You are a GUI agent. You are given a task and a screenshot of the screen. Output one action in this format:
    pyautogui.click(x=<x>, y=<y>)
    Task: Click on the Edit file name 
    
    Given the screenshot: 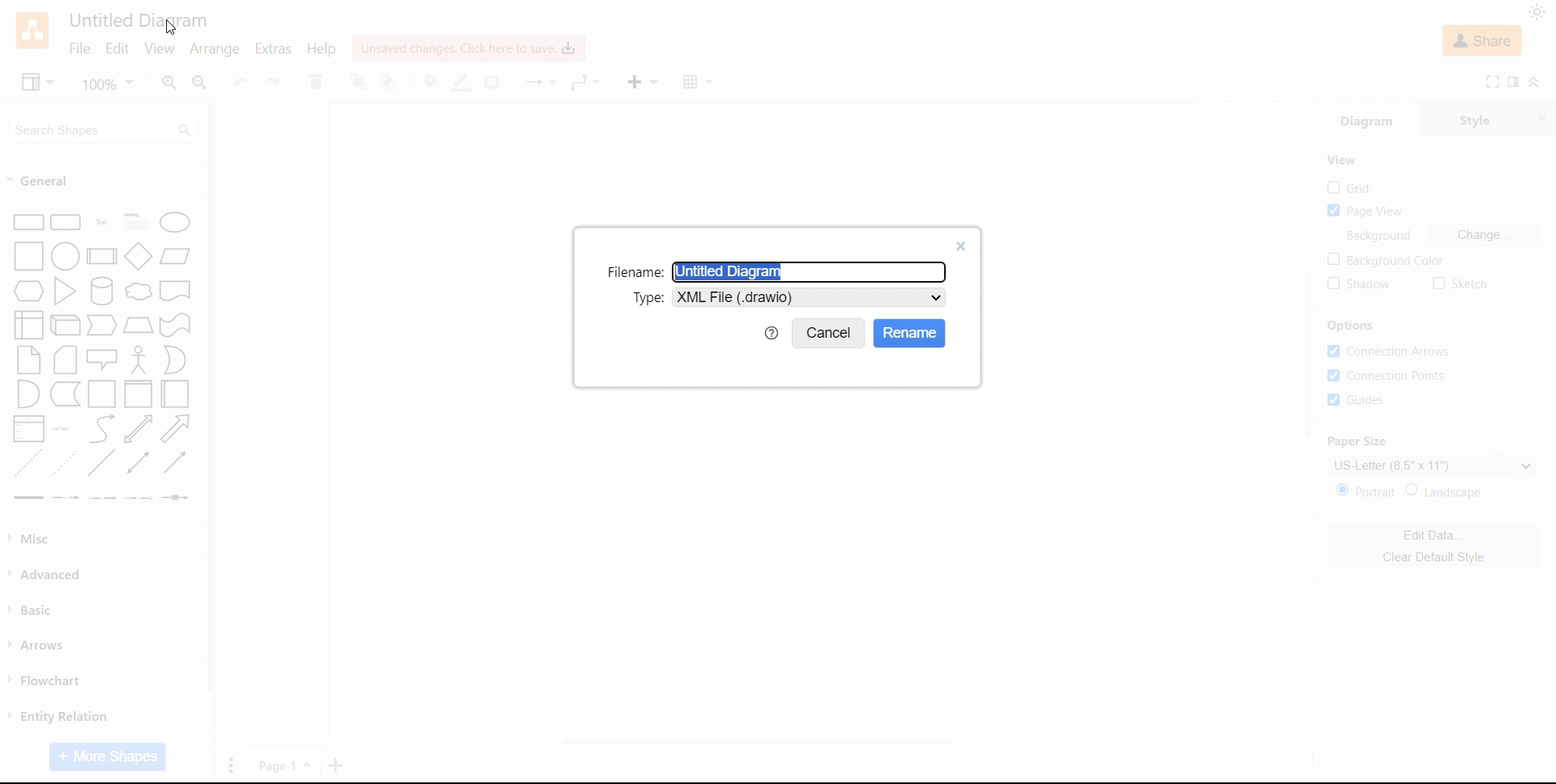 What is the action you would take?
    pyautogui.click(x=810, y=272)
    